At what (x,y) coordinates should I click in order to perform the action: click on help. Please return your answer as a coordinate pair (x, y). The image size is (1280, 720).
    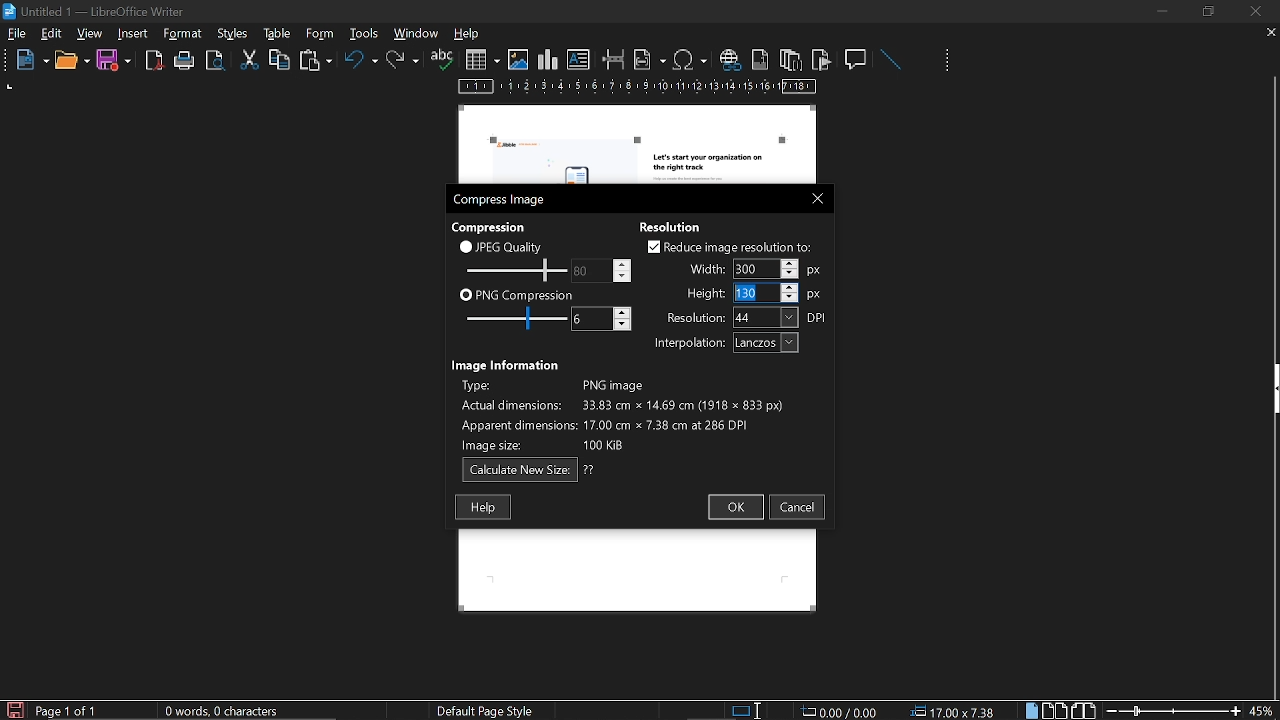
    Looking at the image, I should click on (483, 507).